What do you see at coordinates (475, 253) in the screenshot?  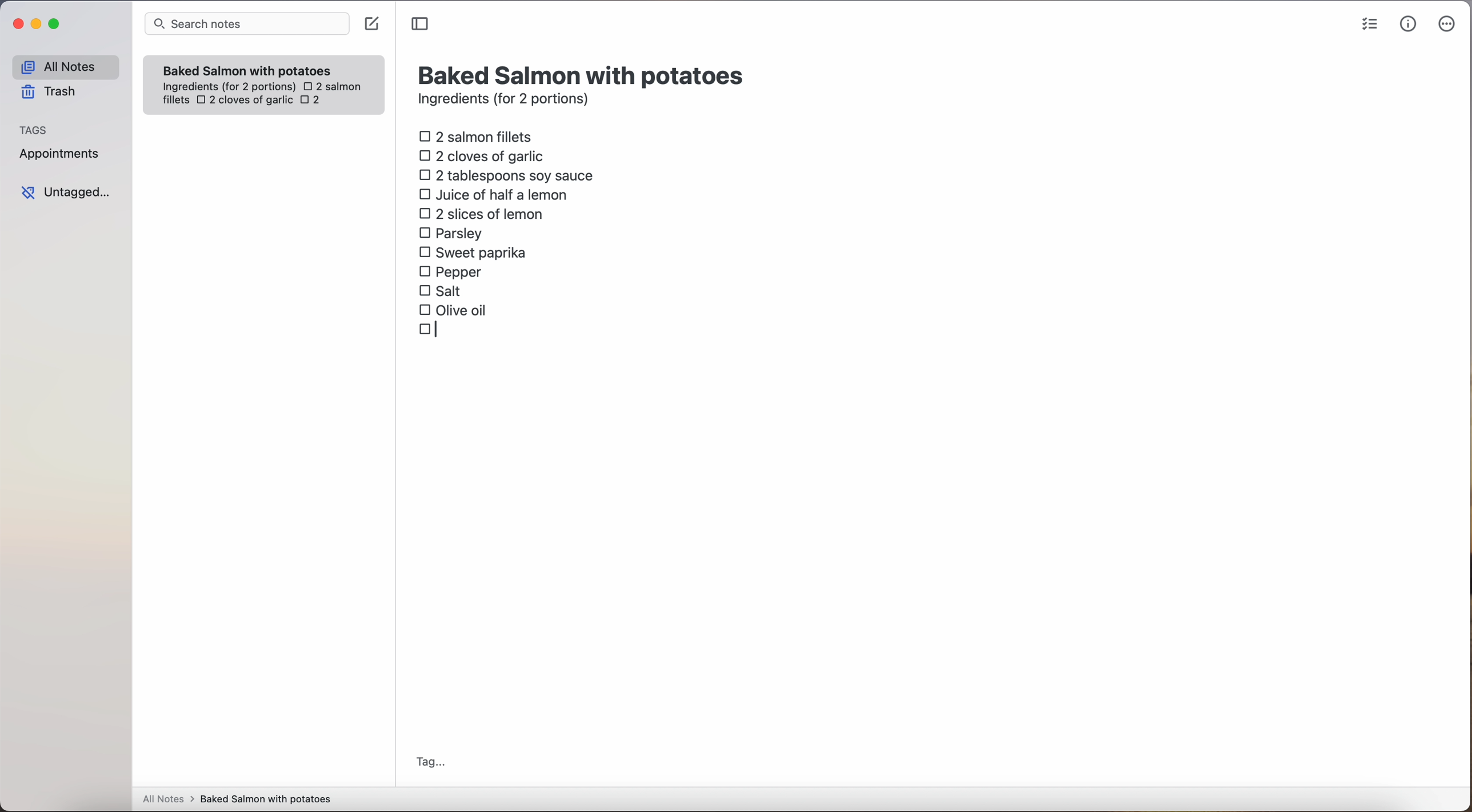 I see `sweet paprika` at bounding box center [475, 253].